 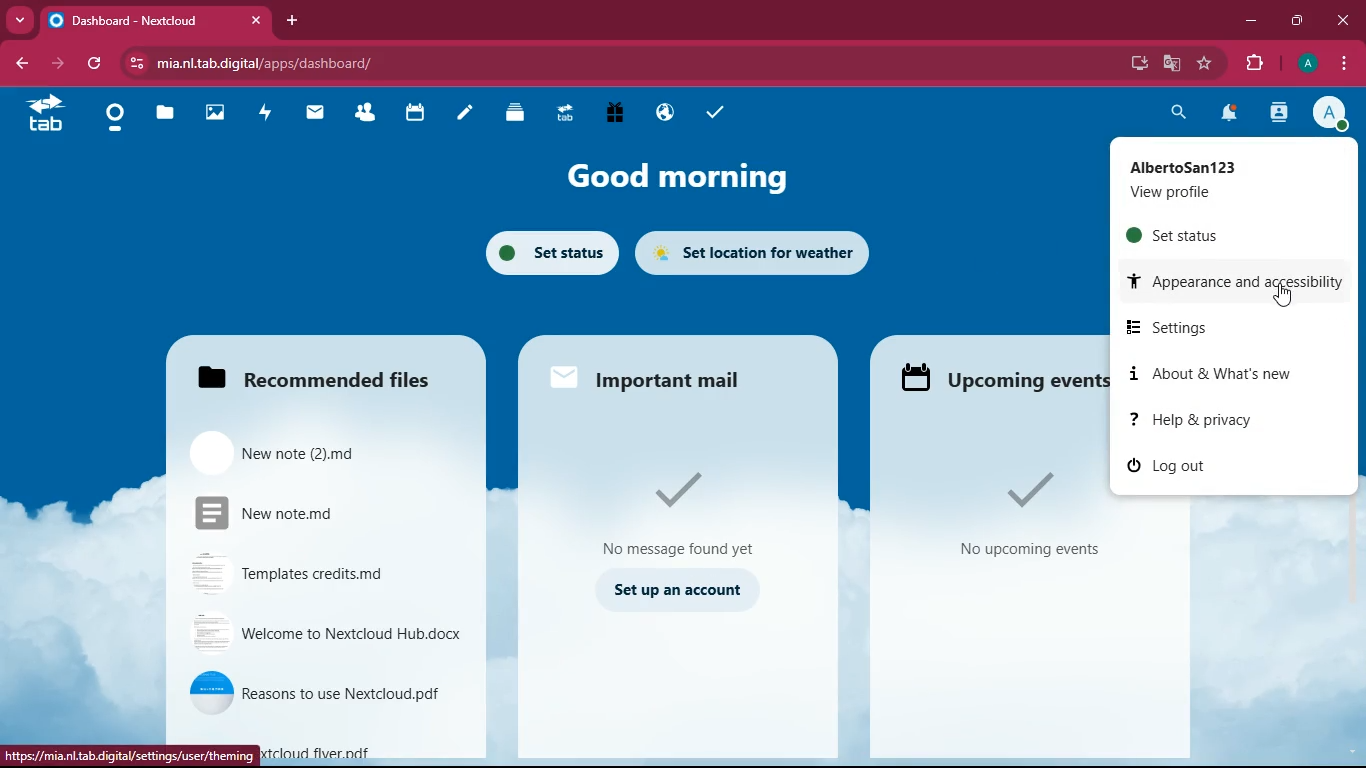 What do you see at coordinates (651, 382) in the screenshot?
I see `important mail` at bounding box center [651, 382].